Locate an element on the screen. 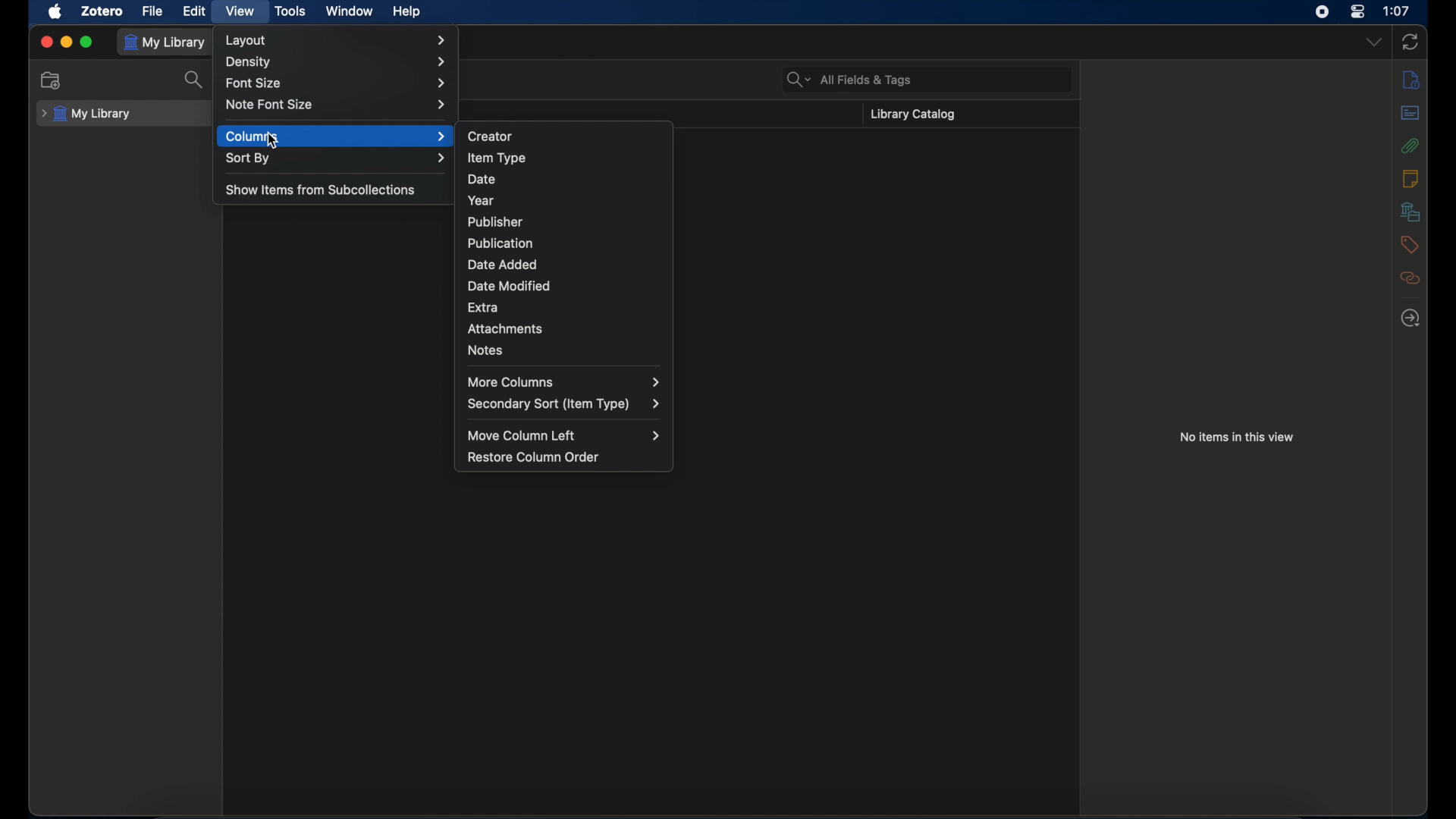  creator is located at coordinates (490, 135).